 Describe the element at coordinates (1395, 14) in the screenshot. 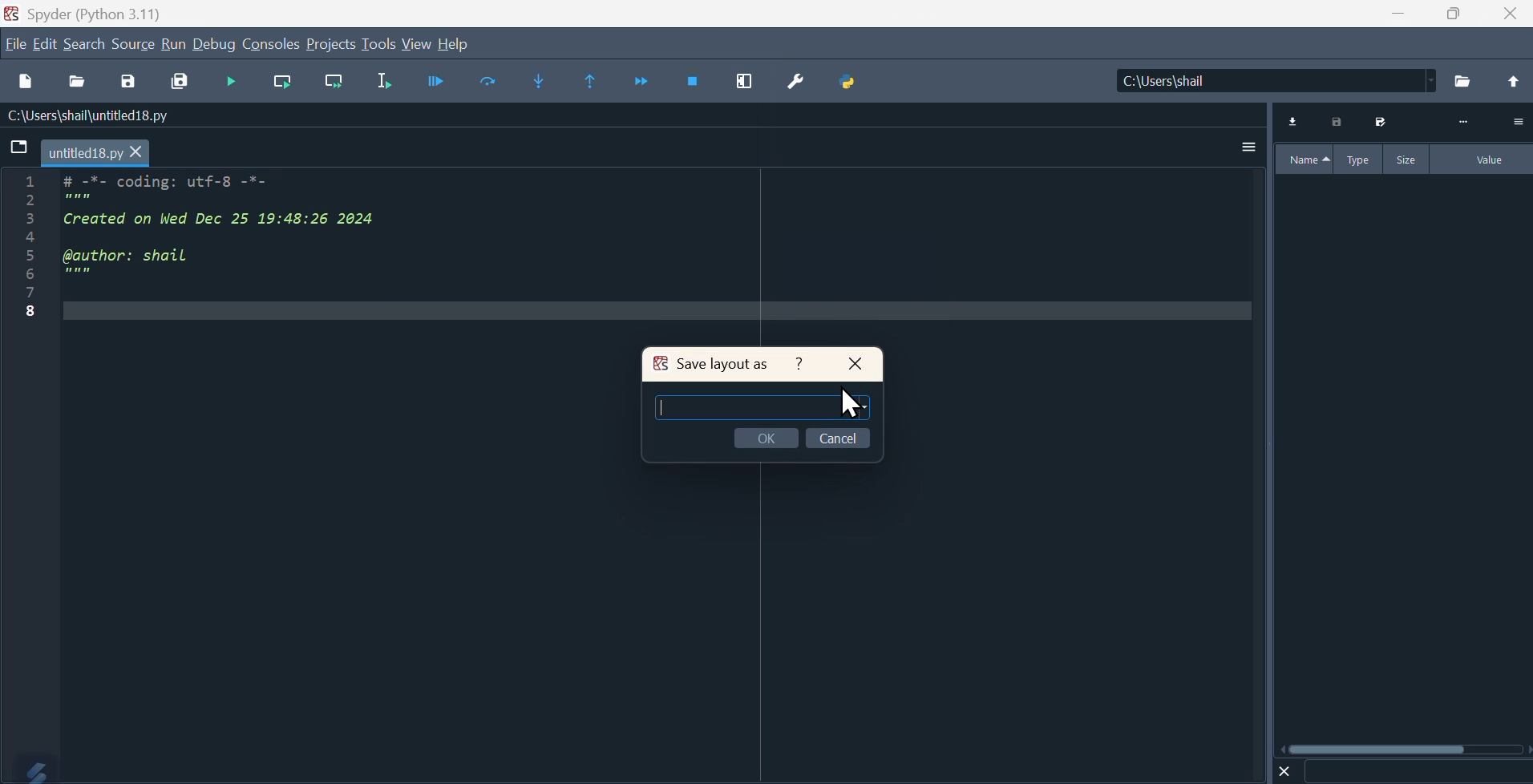

I see `minimize` at that location.